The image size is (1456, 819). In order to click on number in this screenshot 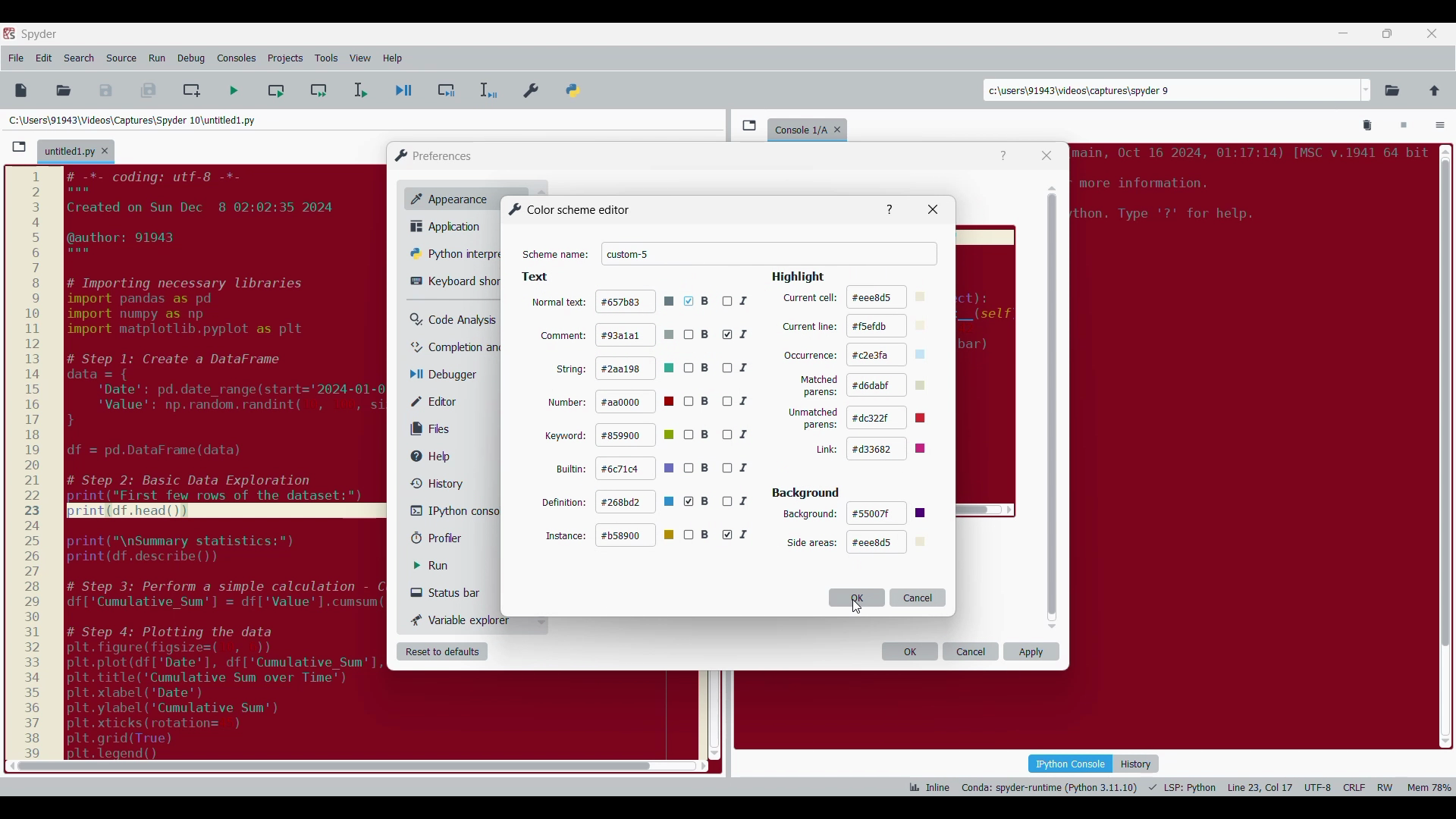, I will do `click(568, 403)`.